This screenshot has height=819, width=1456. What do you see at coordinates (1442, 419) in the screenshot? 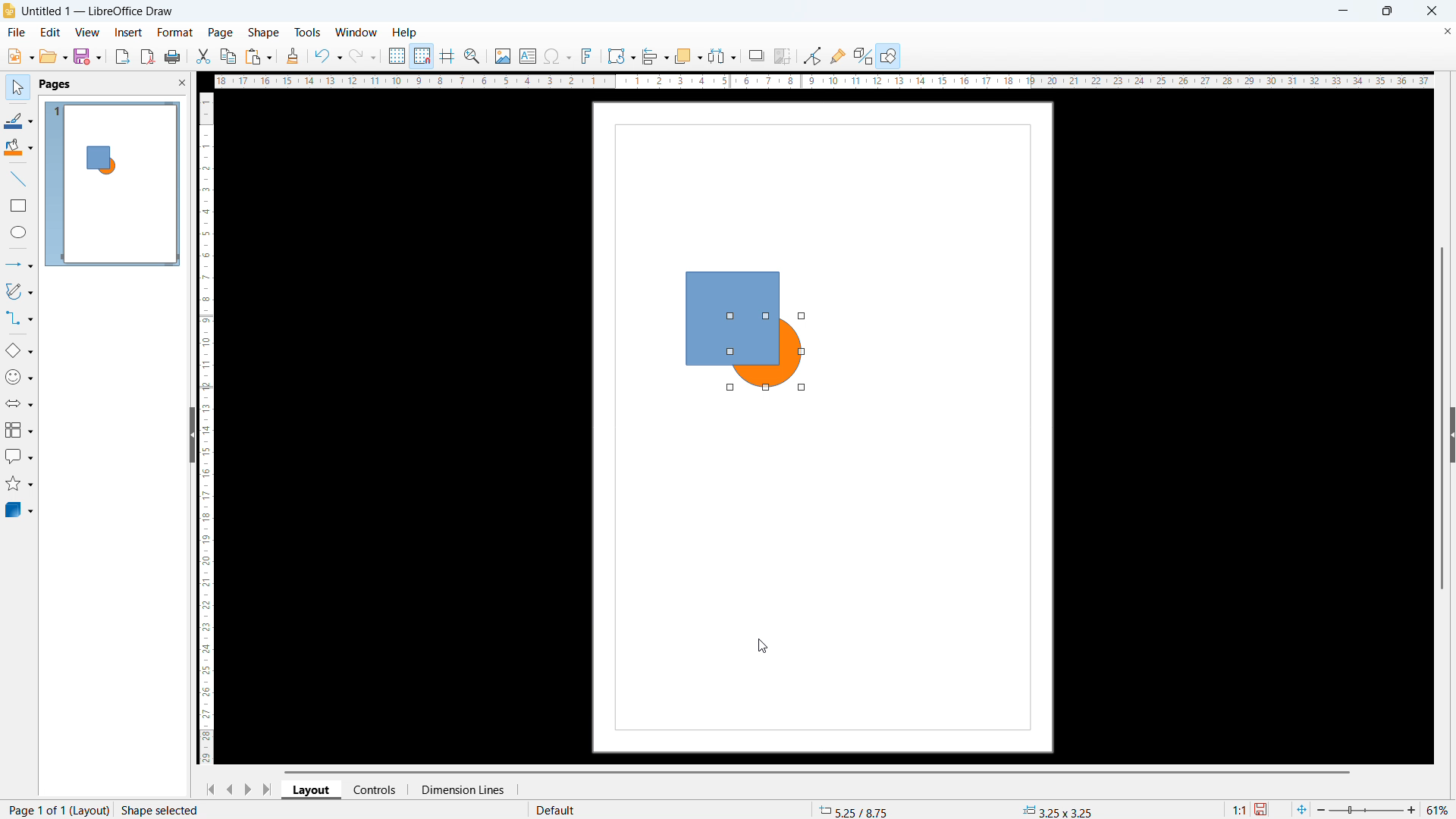
I see `Vertical scroll bar ` at bounding box center [1442, 419].